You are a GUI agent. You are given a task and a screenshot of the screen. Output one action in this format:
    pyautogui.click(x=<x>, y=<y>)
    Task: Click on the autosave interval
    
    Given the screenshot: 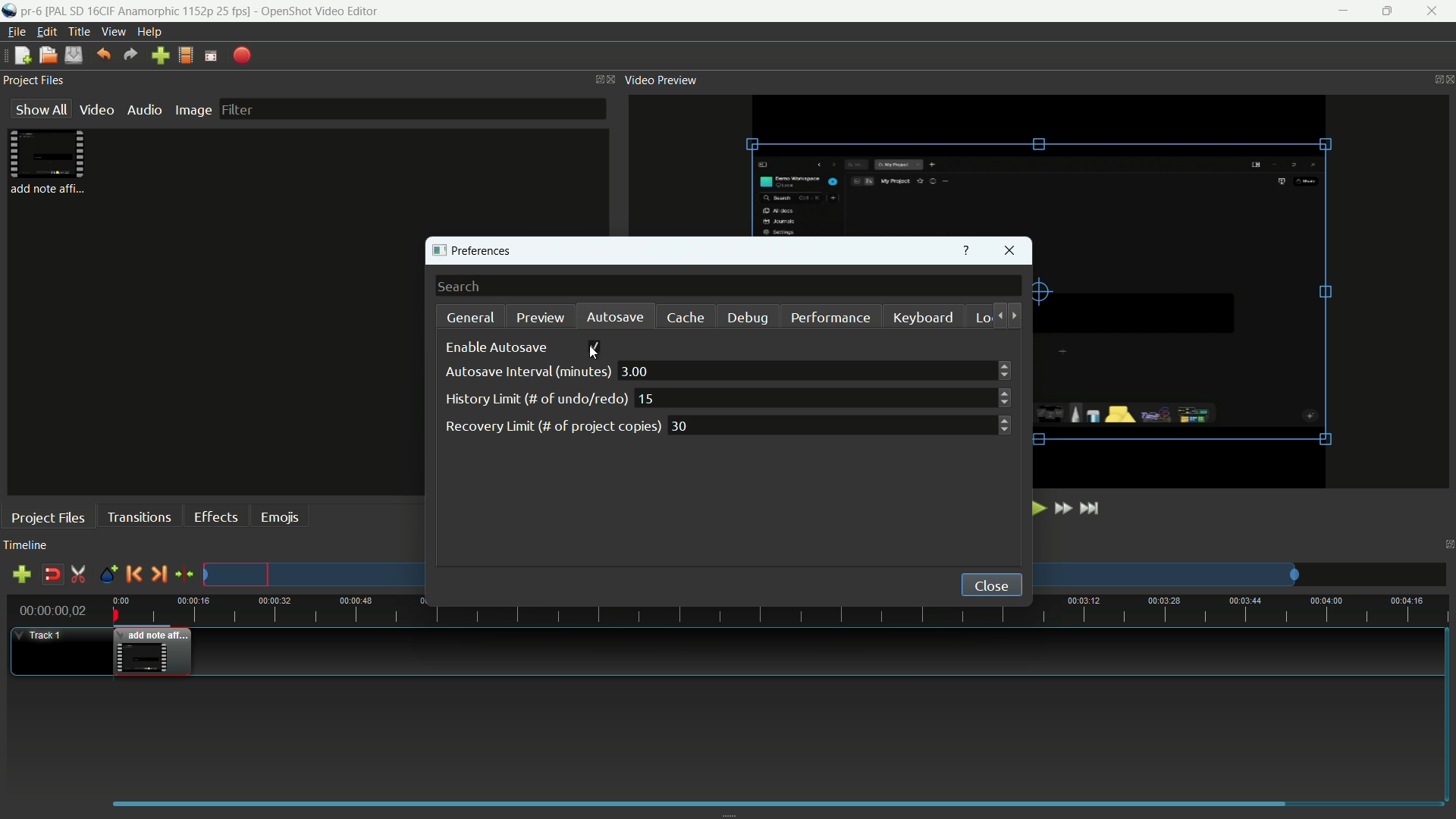 What is the action you would take?
    pyautogui.click(x=526, y=372)
    